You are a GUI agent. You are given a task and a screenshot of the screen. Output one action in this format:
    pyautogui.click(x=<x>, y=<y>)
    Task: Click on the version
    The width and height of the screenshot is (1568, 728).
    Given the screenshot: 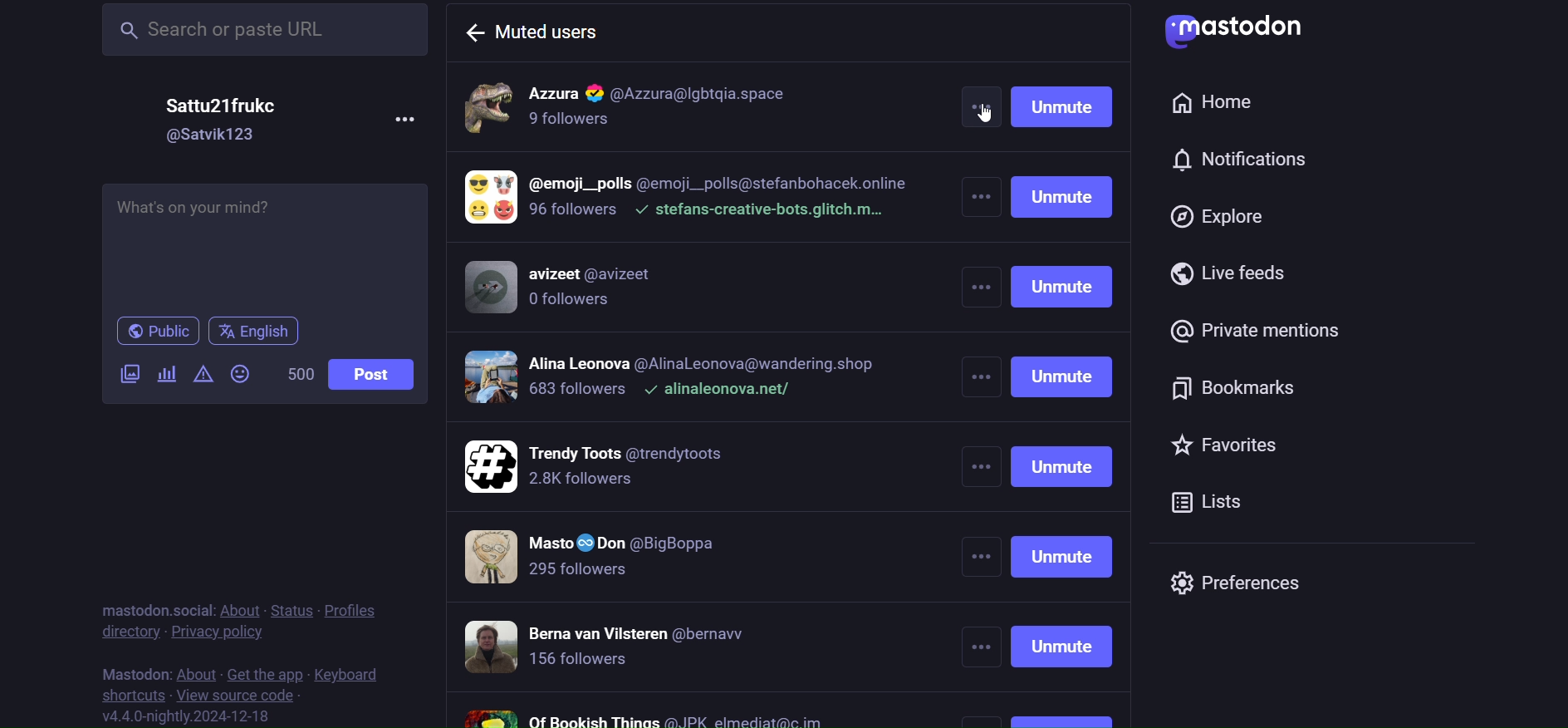 What is the action you would take?
    pyautogui.click(x=187, y=715)
    